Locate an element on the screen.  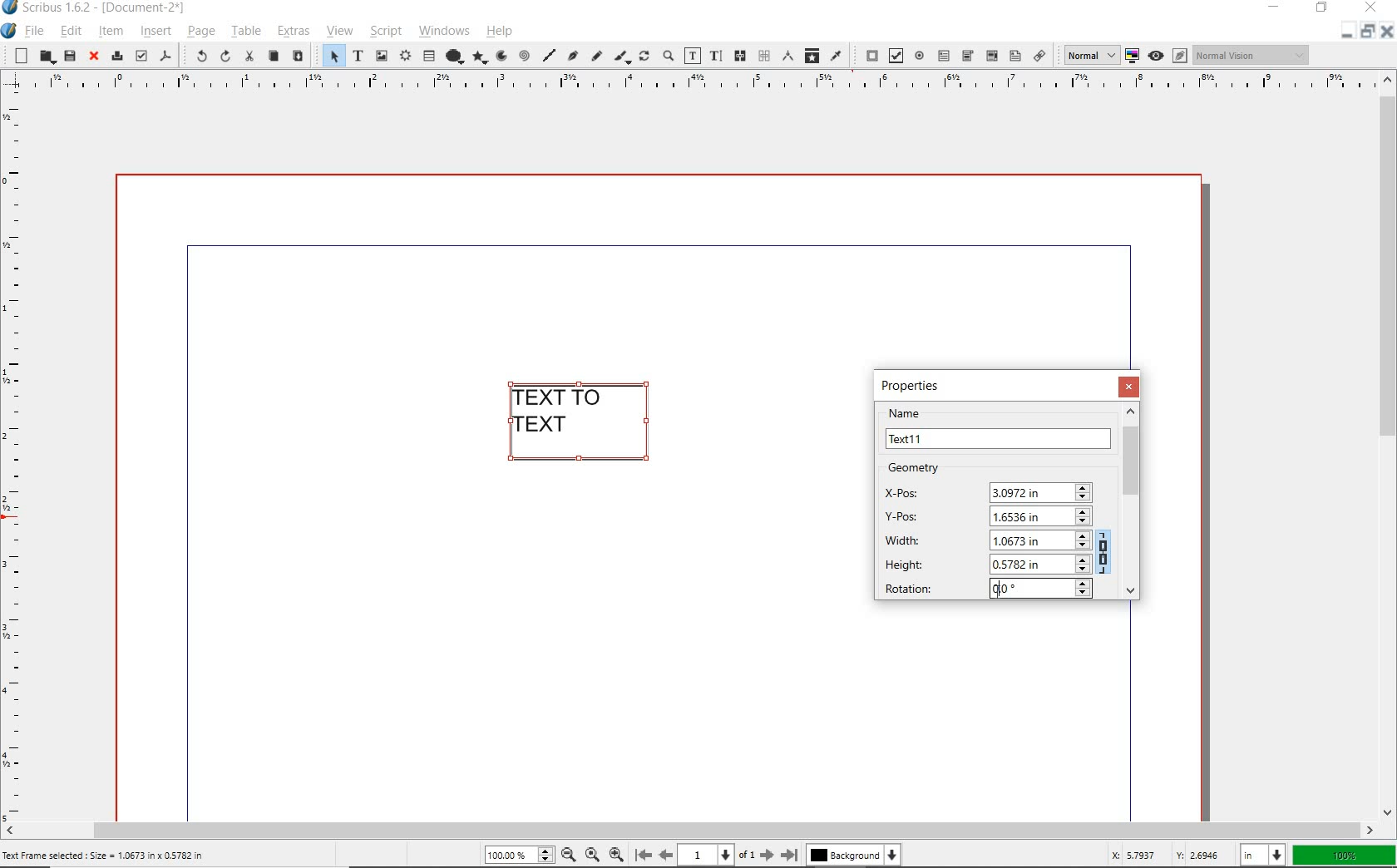
pdf check box is located at coordinates (896, 55).